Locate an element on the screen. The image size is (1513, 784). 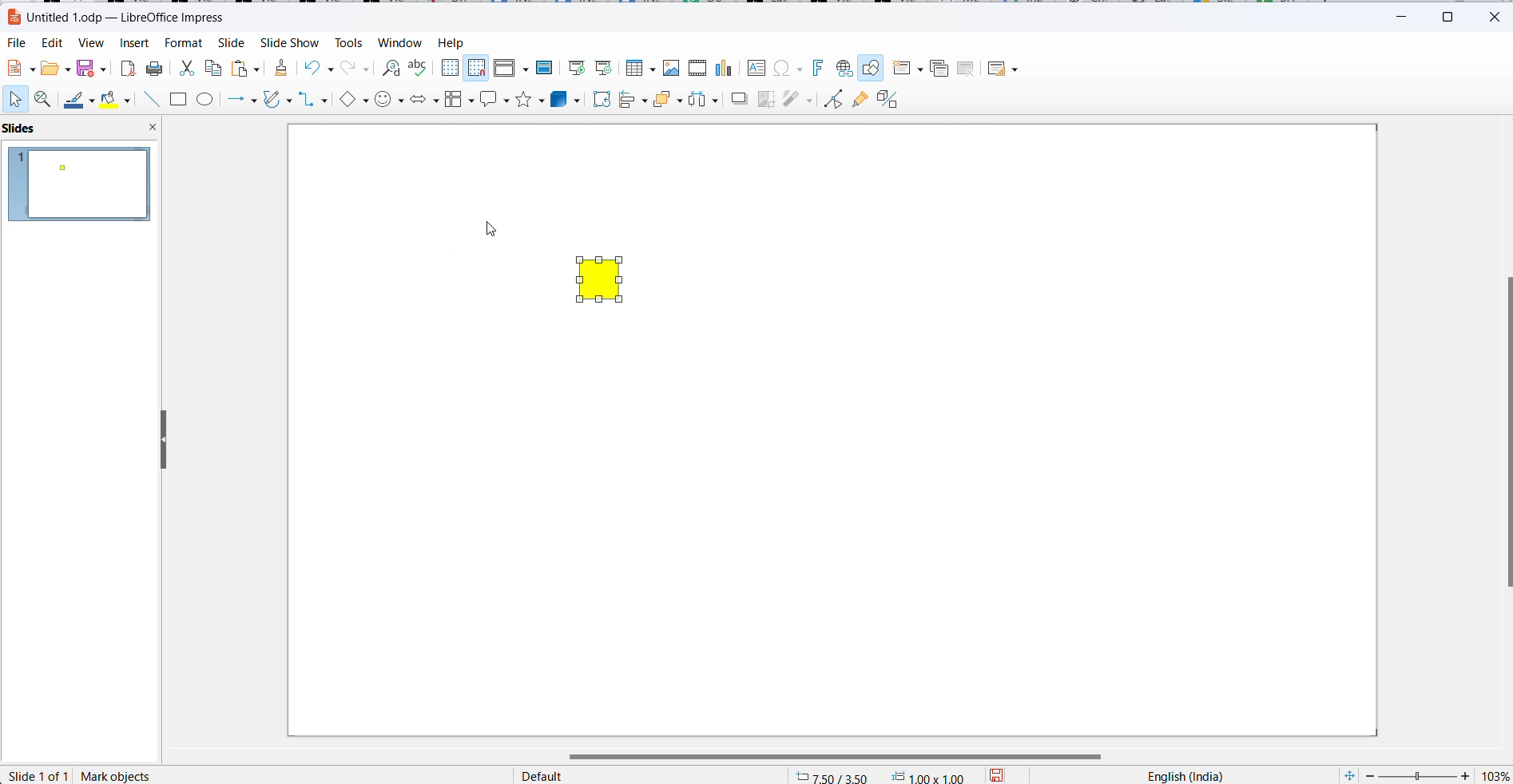
slide show is located at coordinates (288, 44).